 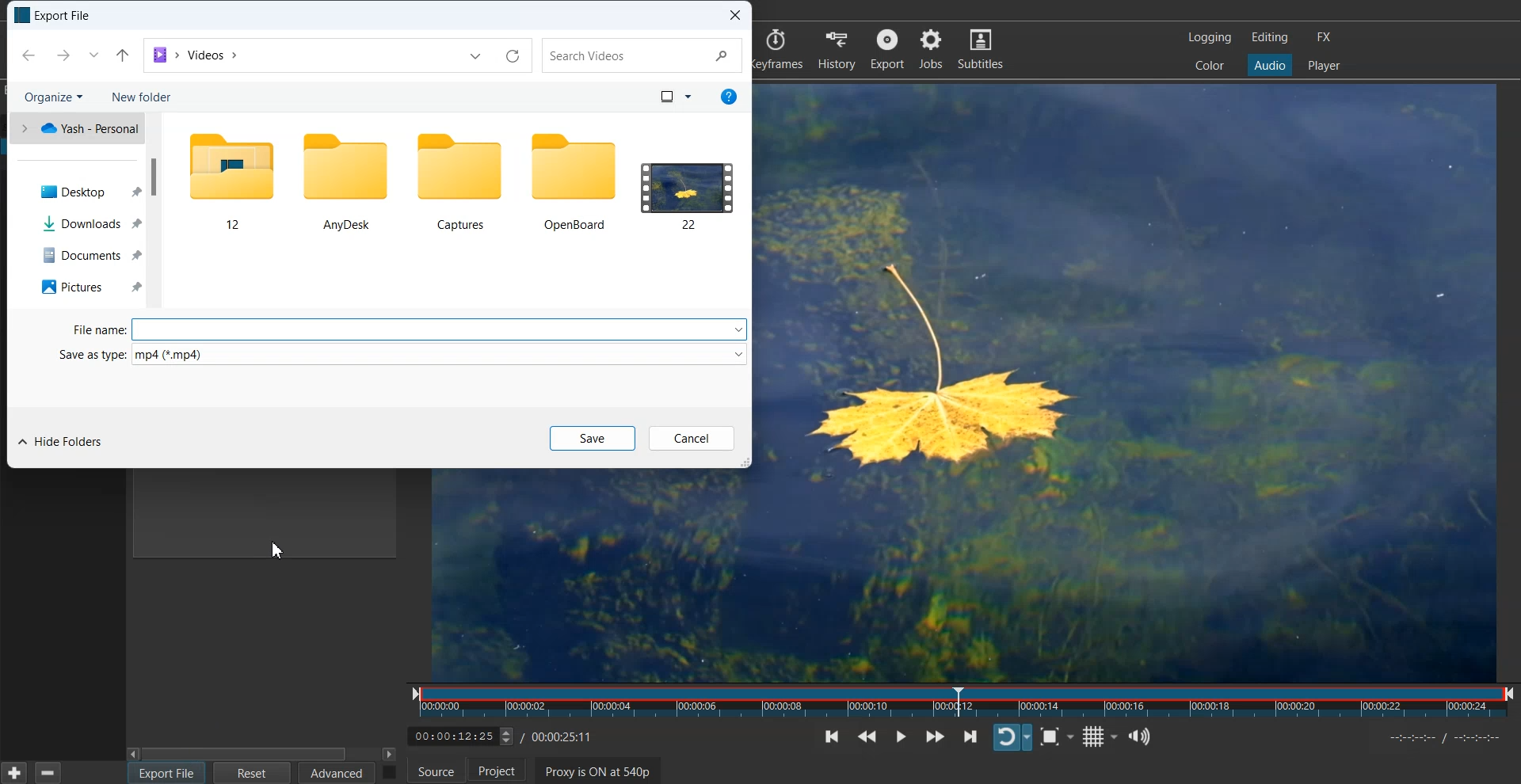 What do you see at coordinates (473, 57) in the screenshot?
I see `dropdown` at bounding box center [473, 57].